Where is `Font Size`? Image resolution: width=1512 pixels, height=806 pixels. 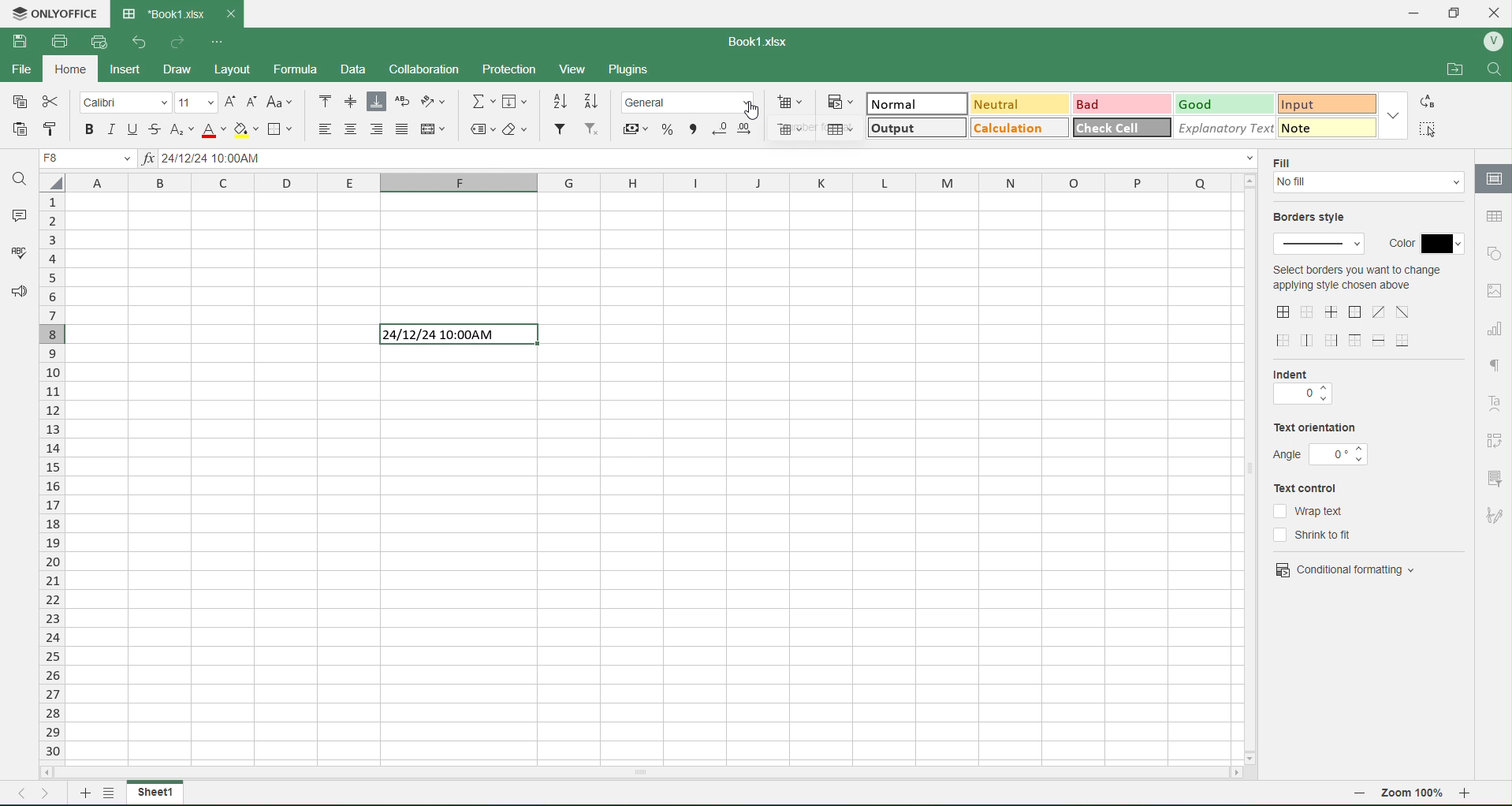
Font Size is located at coordinates (196, 101).